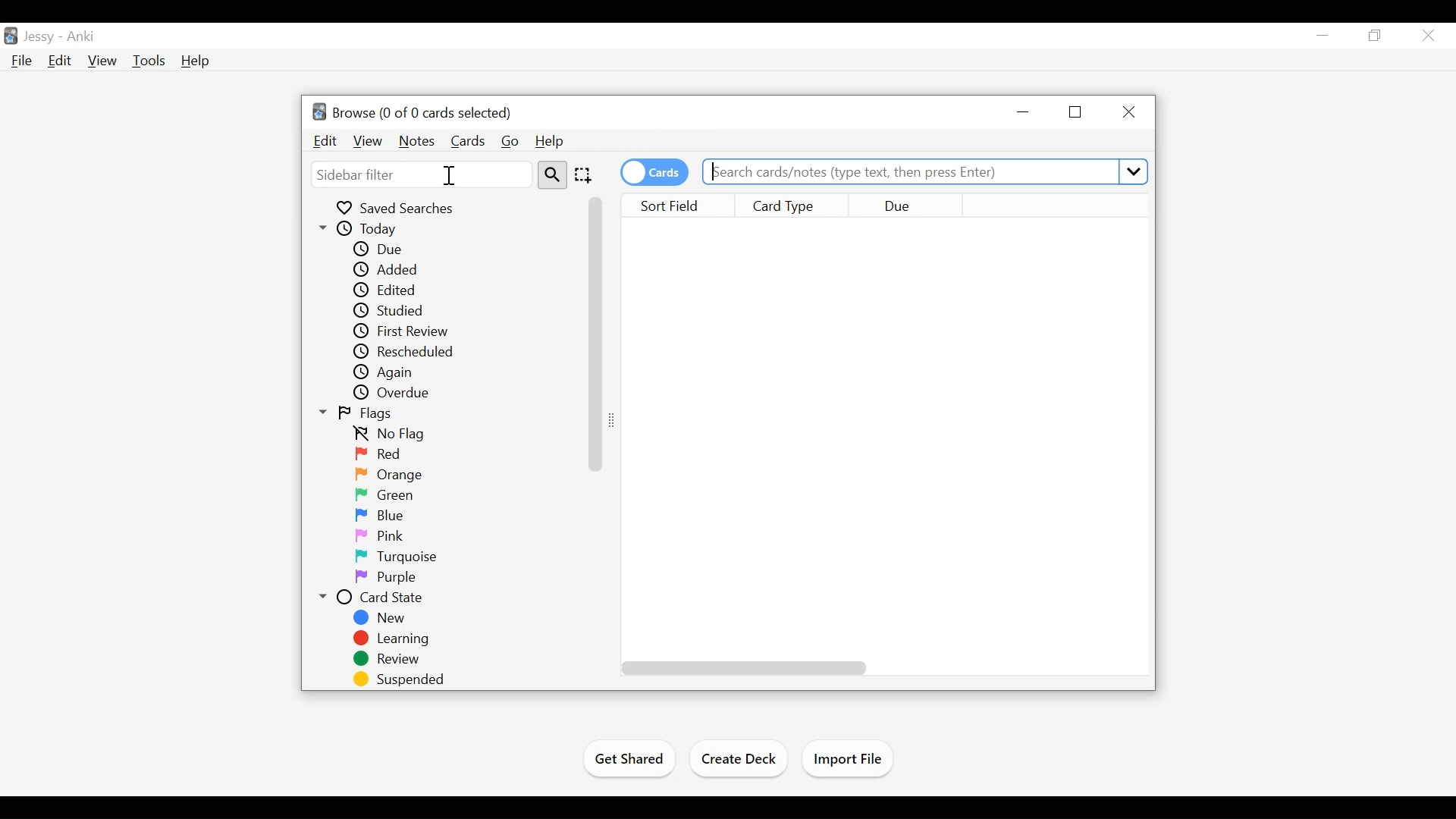 This screenshot has width=1456, height=819. I want to click on minimize, so click(1323, 35).